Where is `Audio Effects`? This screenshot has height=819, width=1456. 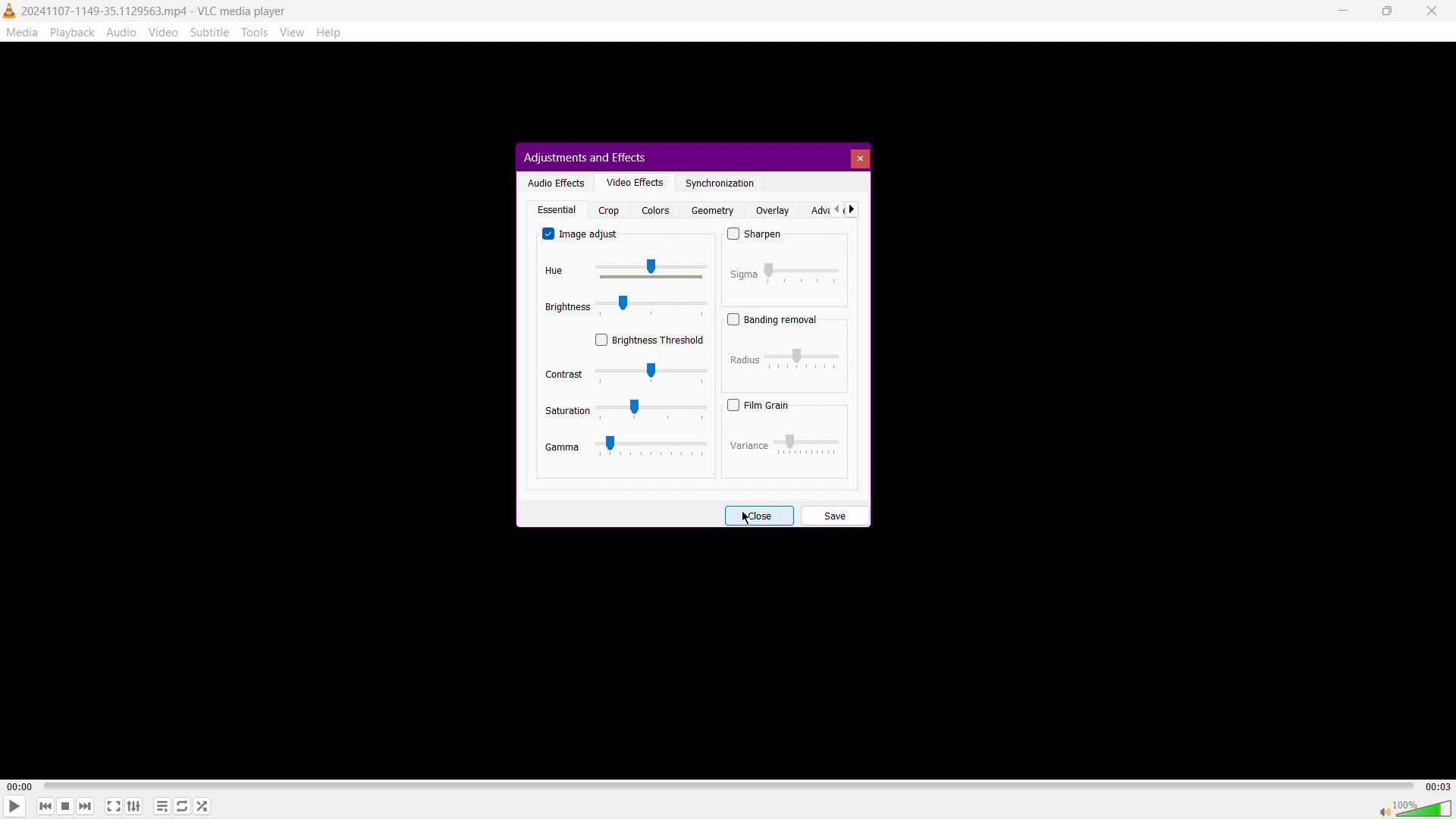
Audio Effects is located at coordinates (554, 181).